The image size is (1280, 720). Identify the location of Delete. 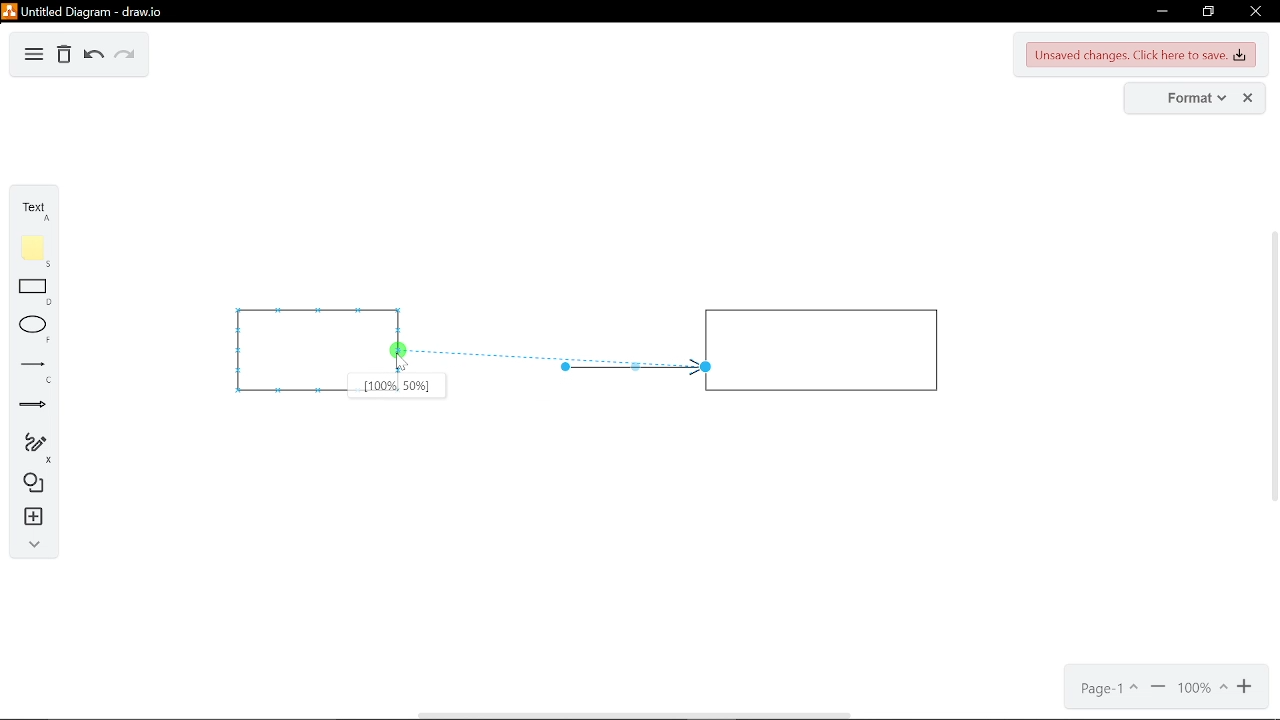
(65, 55).